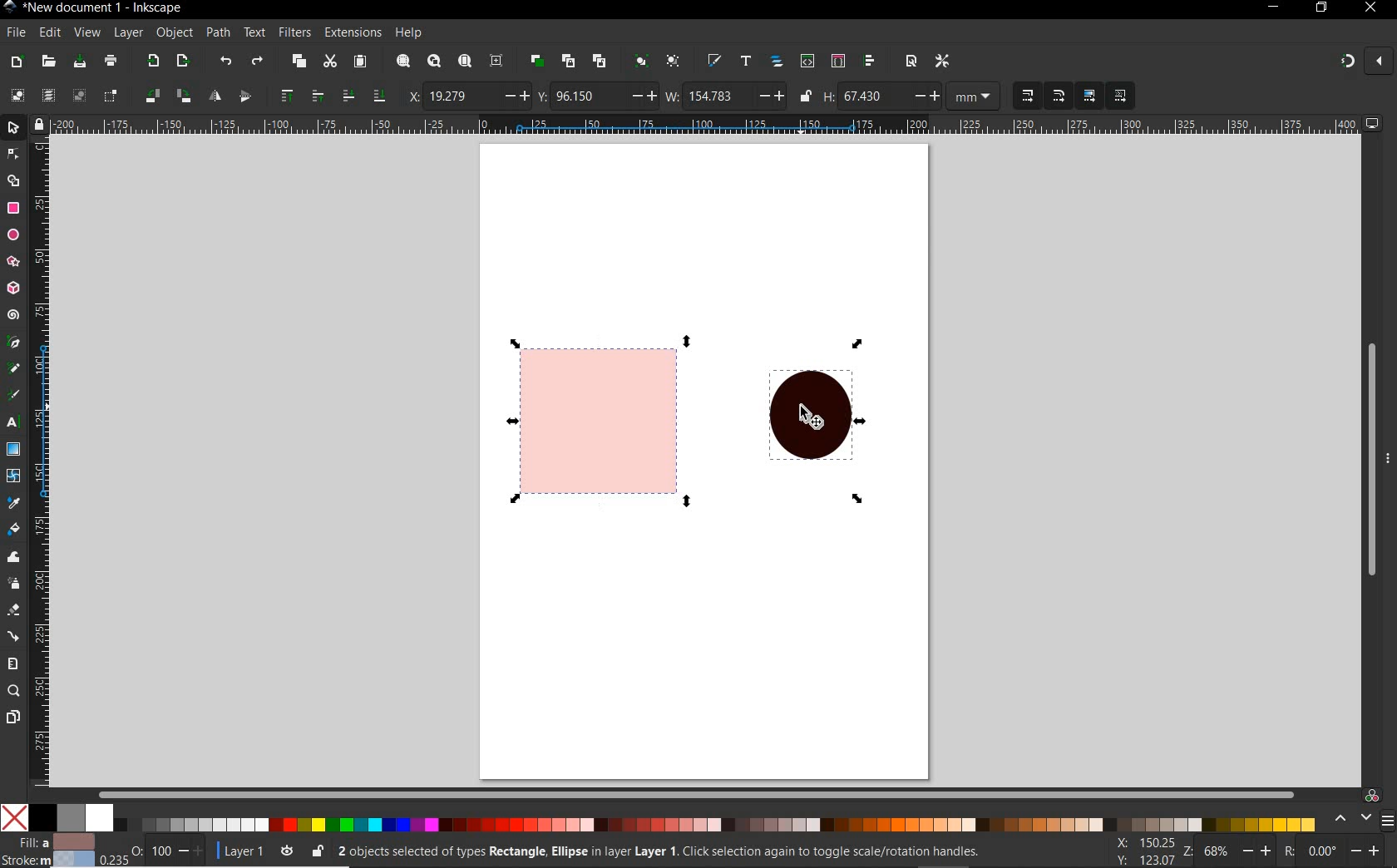 The height and width of the screenshot is (868, 1397). I want to click on node tool, so click(12, 152).